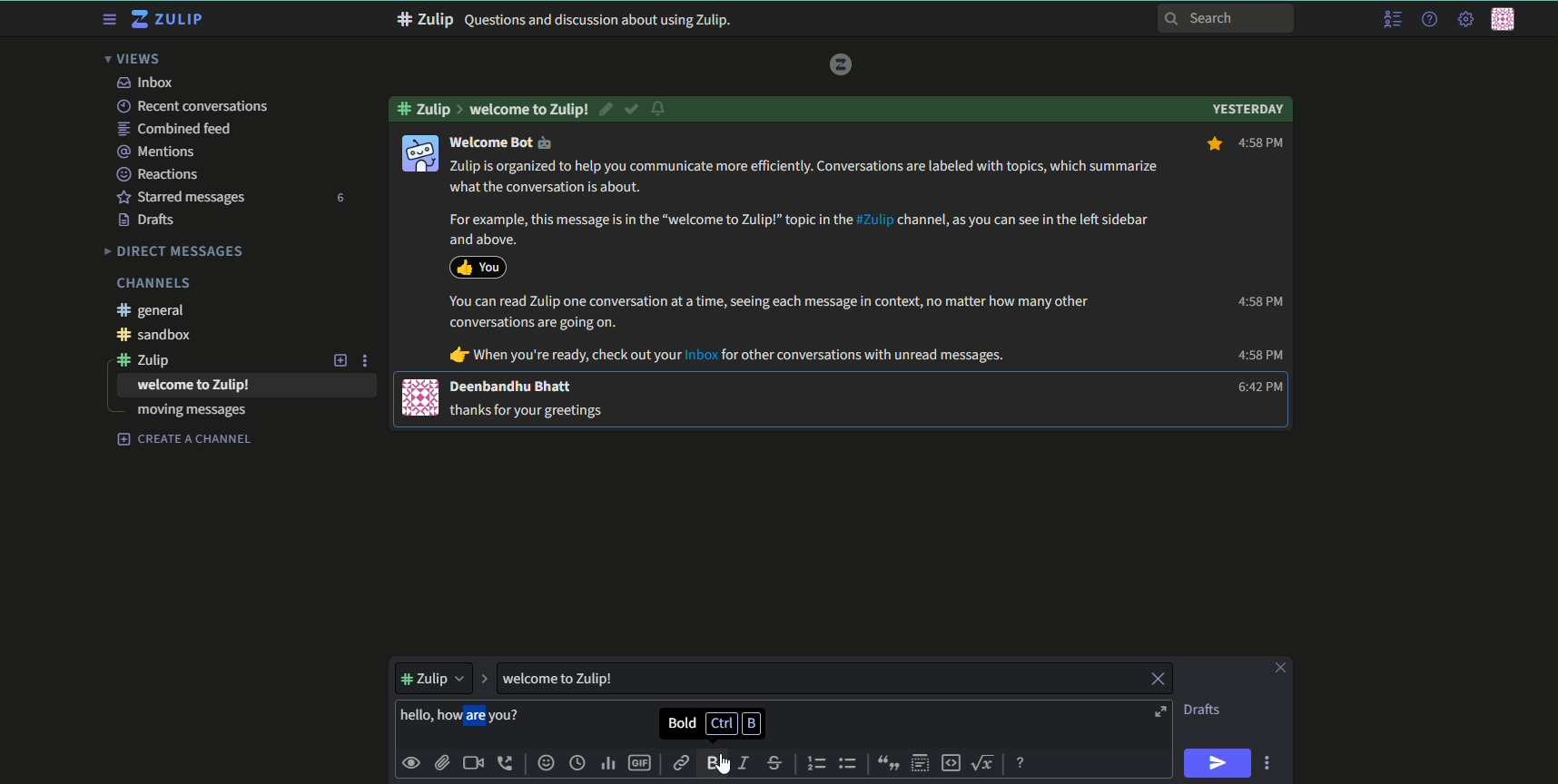 This screenshot has width=1558, height=784. I want to click on 4:58 PM, so click(1258, 301).